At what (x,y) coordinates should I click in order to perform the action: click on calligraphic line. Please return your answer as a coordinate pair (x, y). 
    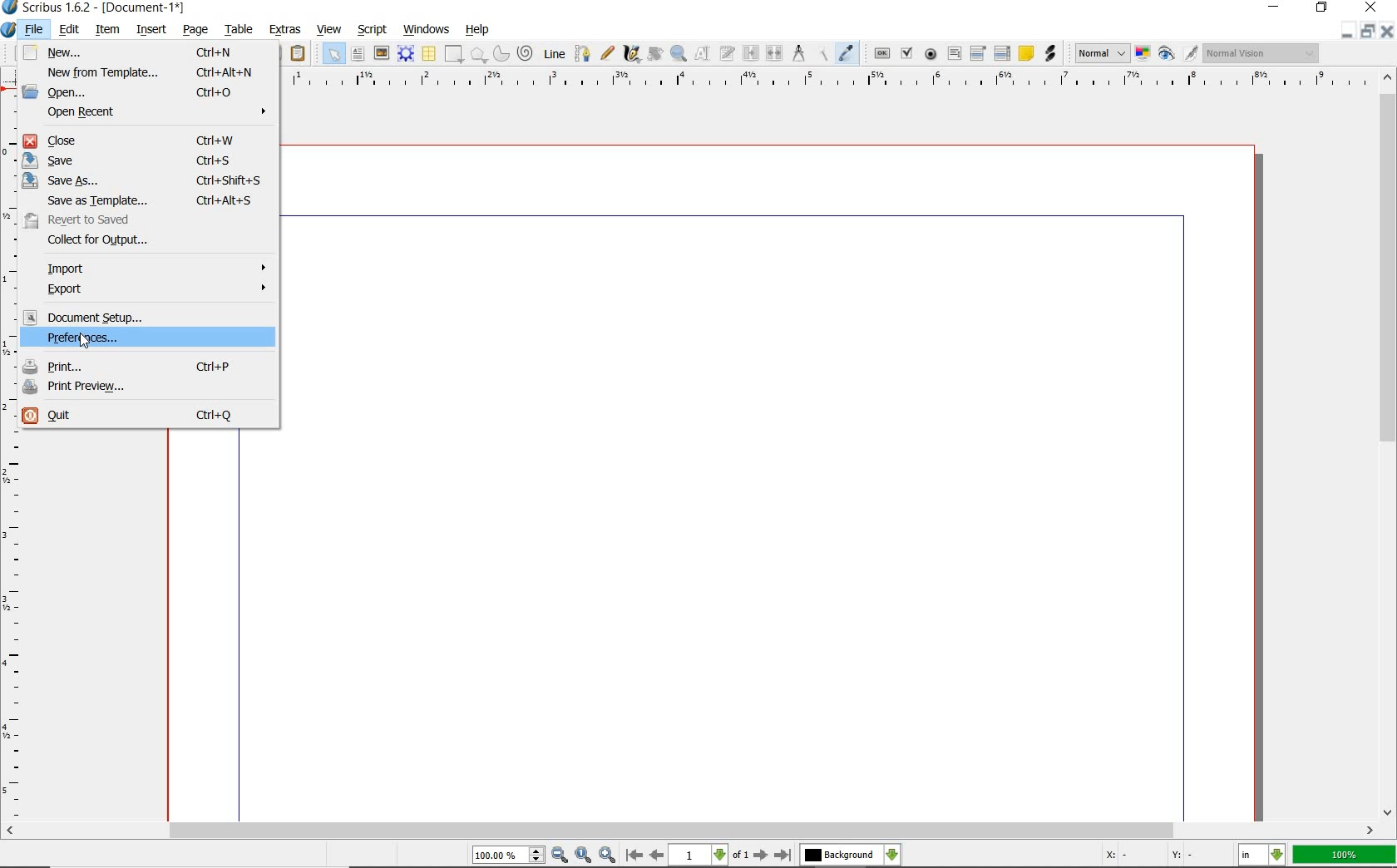
    Looking at the image, I should click on (633, 55).